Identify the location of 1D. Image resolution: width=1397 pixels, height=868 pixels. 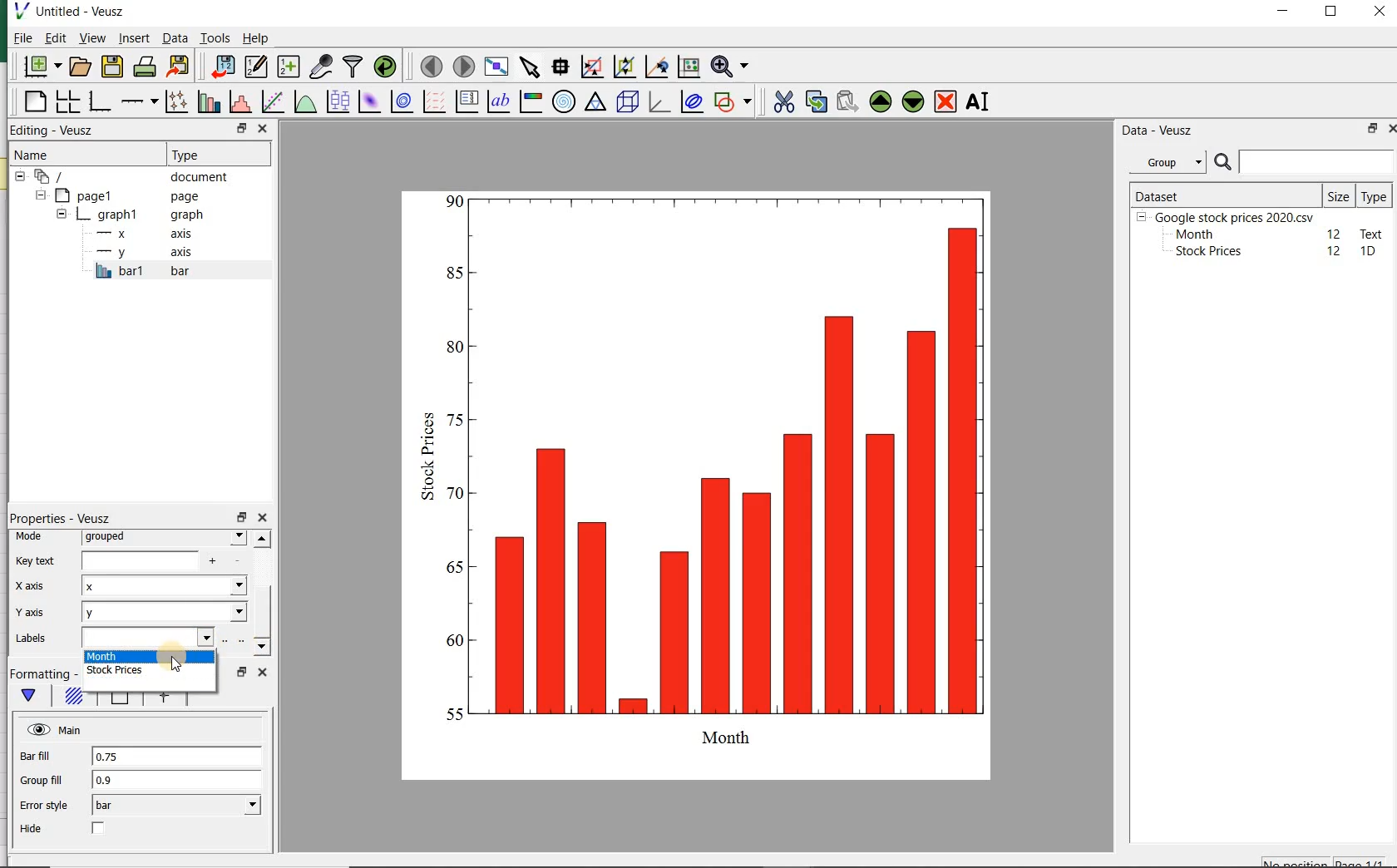
(1370, 252).